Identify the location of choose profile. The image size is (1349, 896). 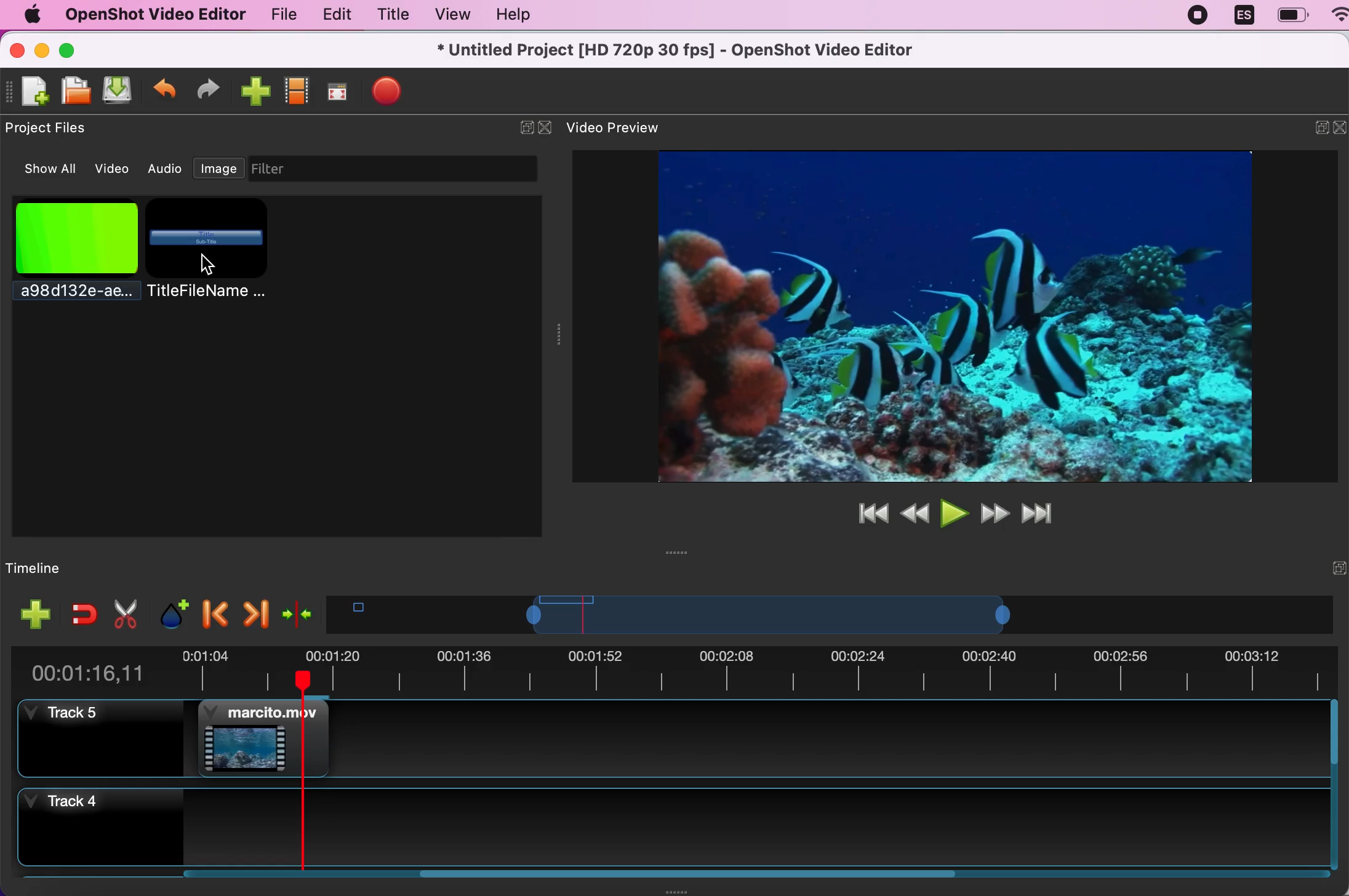
(298, 89).